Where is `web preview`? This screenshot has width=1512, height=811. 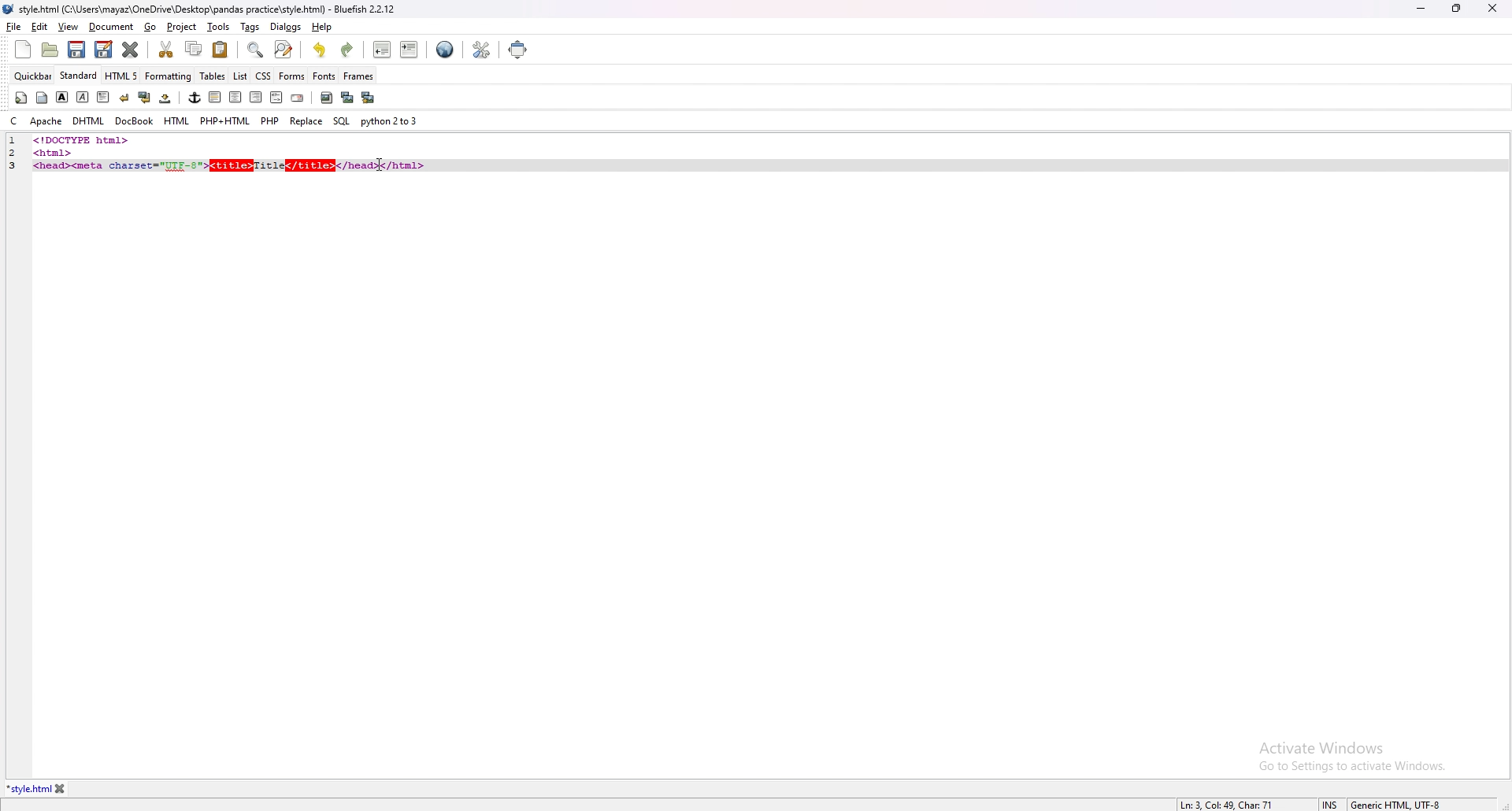 web preview is located at coordinates (445, 50).